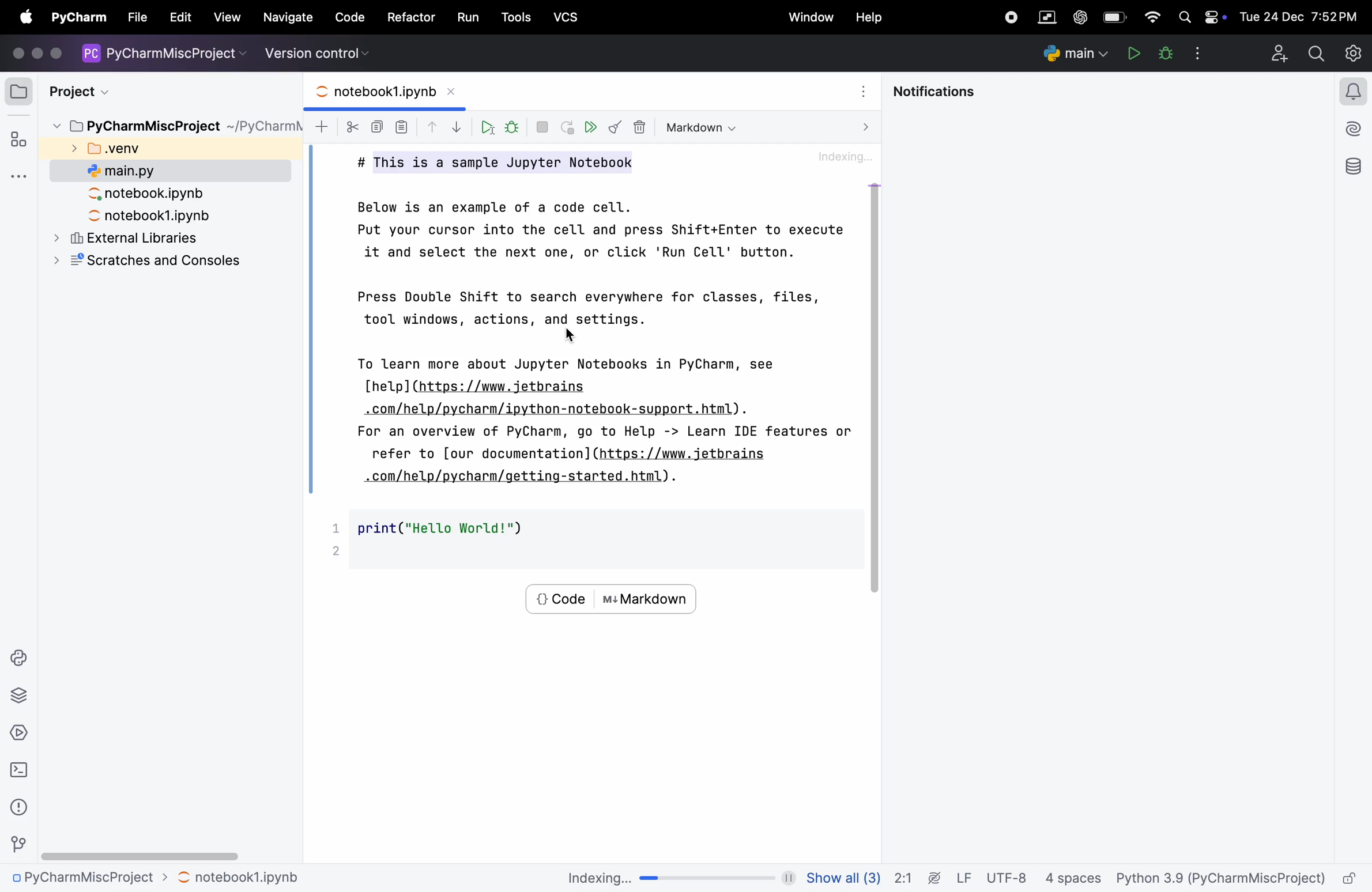  What do you see at coordinates (323, 127) in the screenshot?
I see `add` at bounding box center [323, 127].